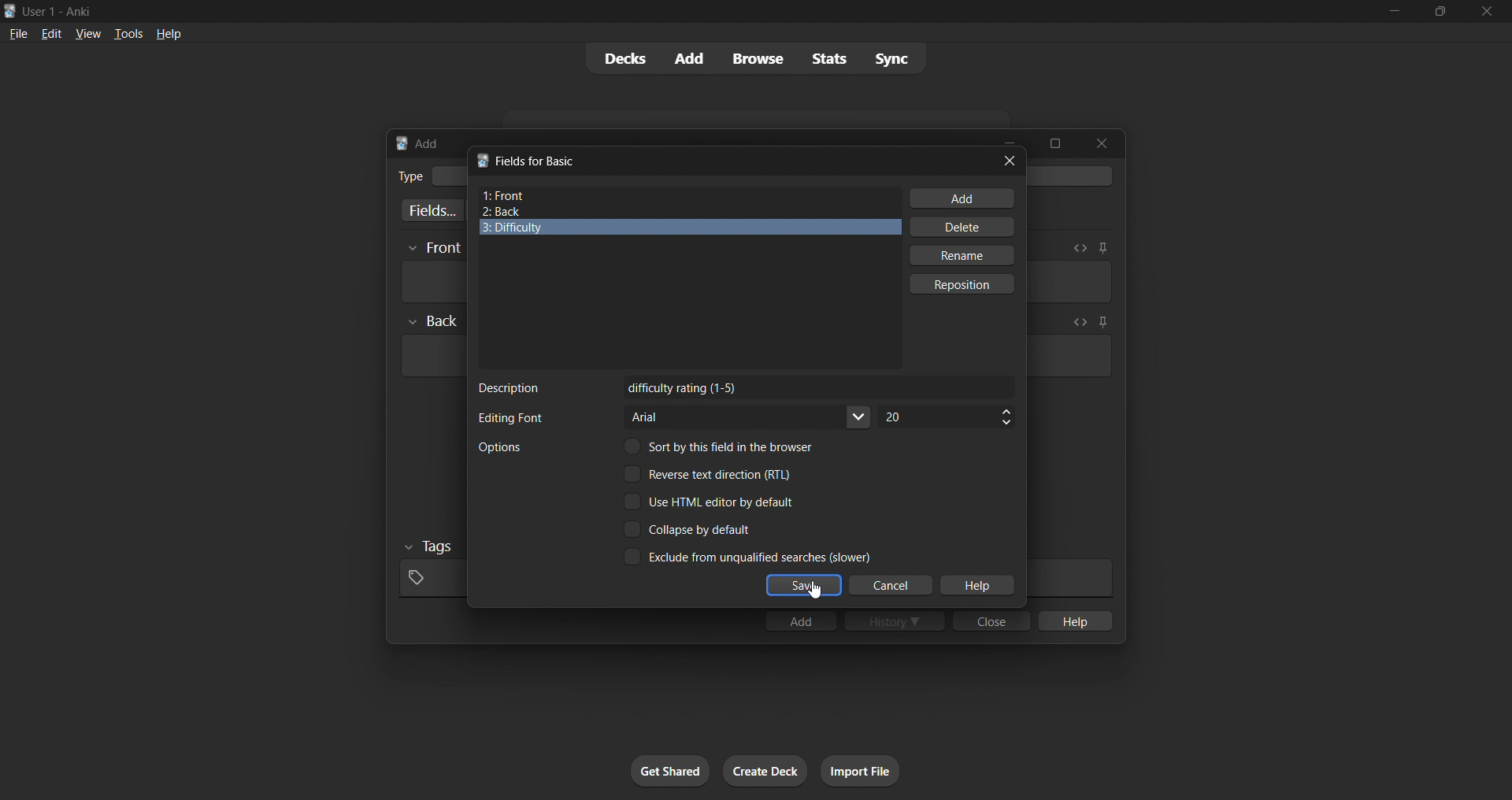  Describe the element at coordinates (1394, 12) in the screenshot. I see `minimize` at that location.